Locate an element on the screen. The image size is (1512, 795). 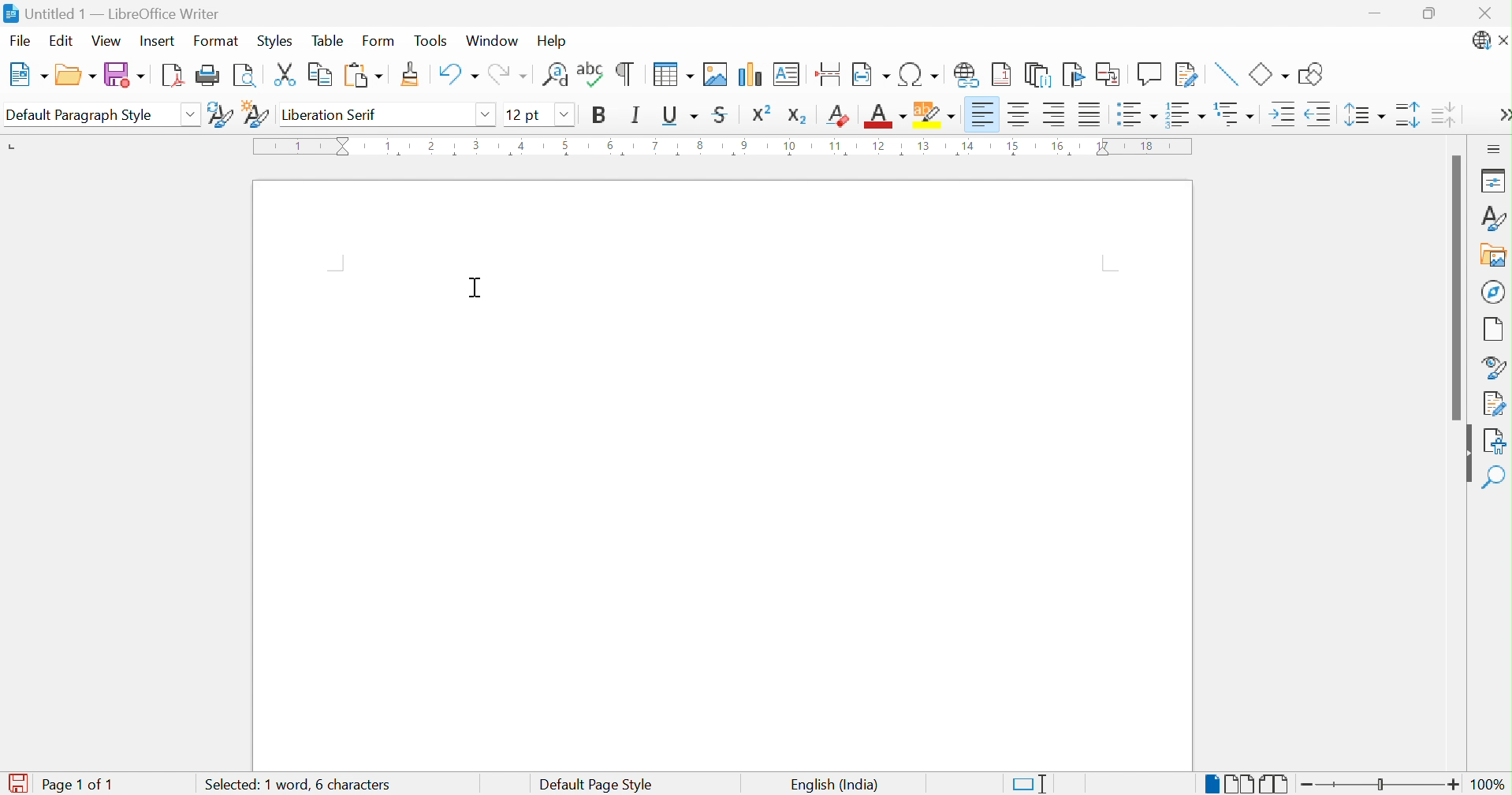
Multiple-page view is located at coordinates (1239, 784).